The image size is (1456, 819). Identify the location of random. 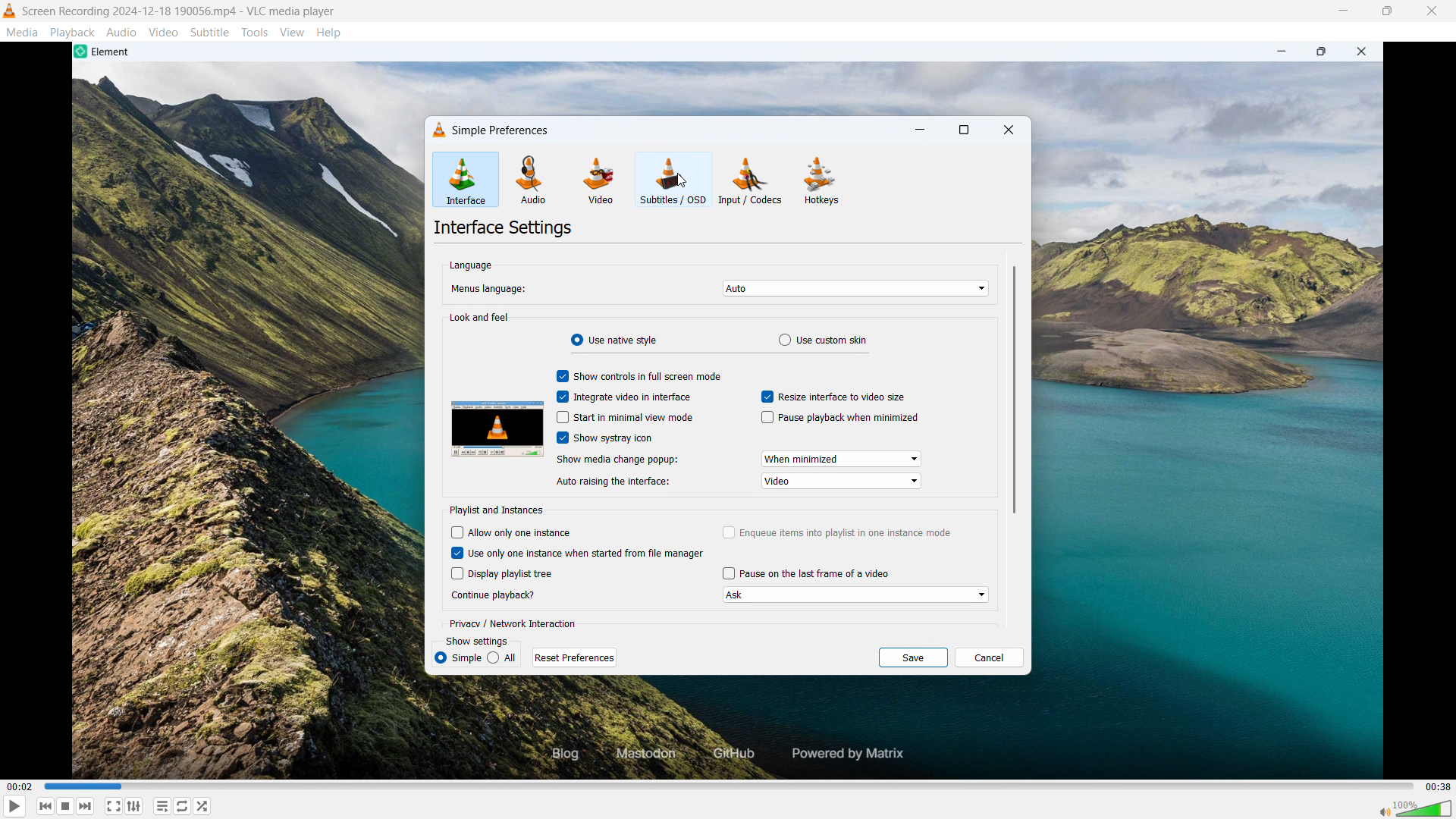
(202, 806).